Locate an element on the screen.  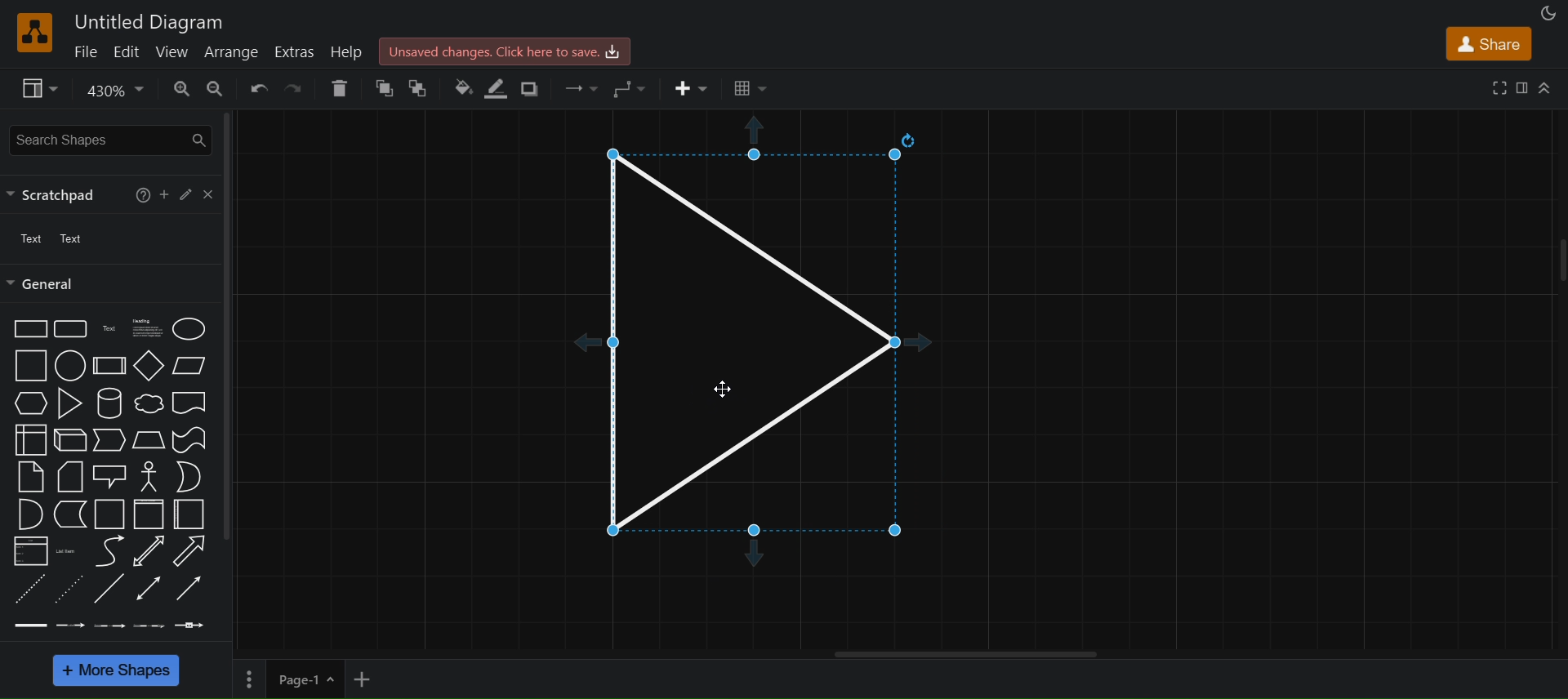
page 1 is located at coordinates (310, 678).